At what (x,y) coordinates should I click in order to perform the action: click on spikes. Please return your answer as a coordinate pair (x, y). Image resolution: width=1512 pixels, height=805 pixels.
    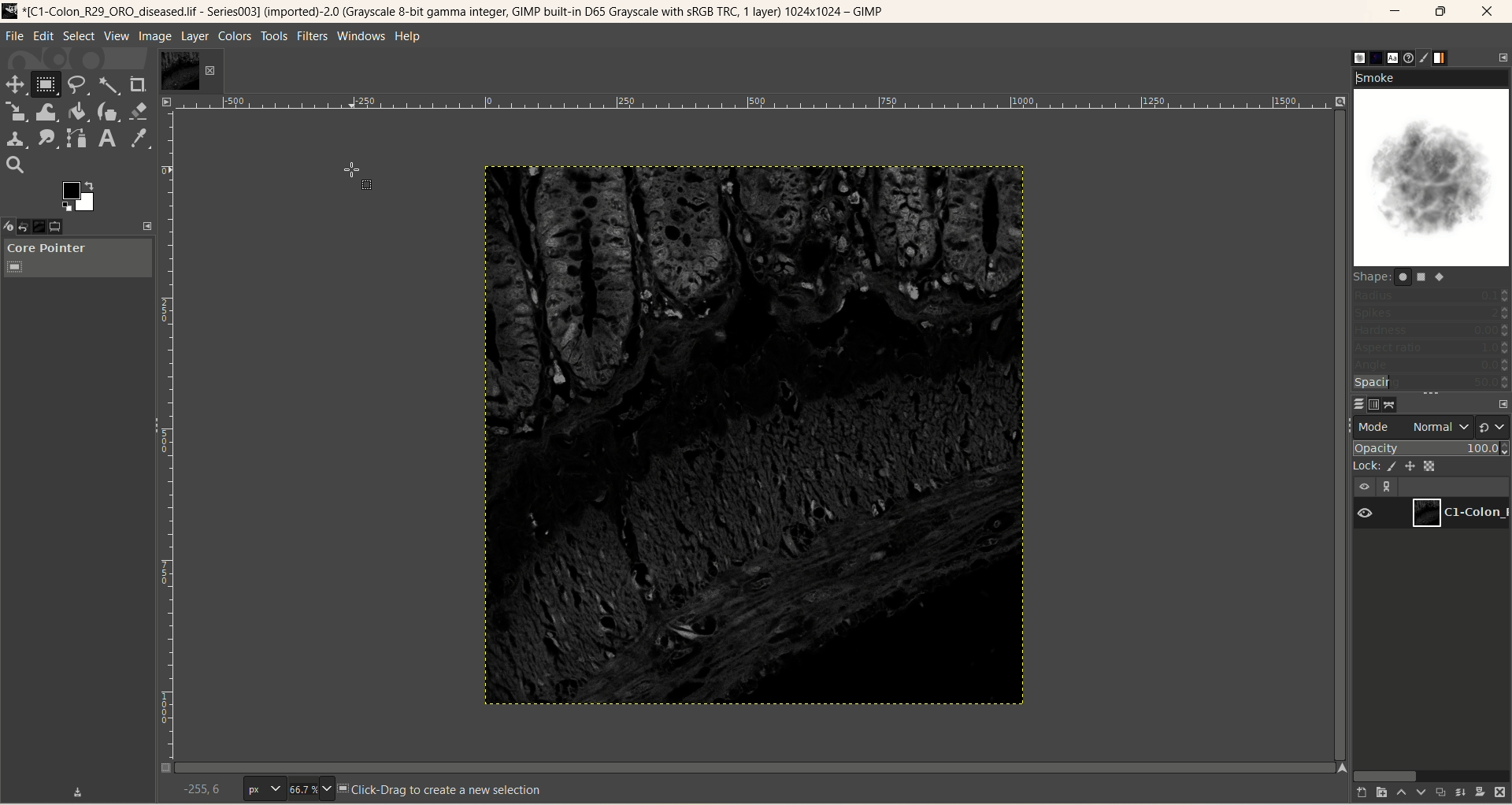
    Looking at the image, I should click on (1432, 313).